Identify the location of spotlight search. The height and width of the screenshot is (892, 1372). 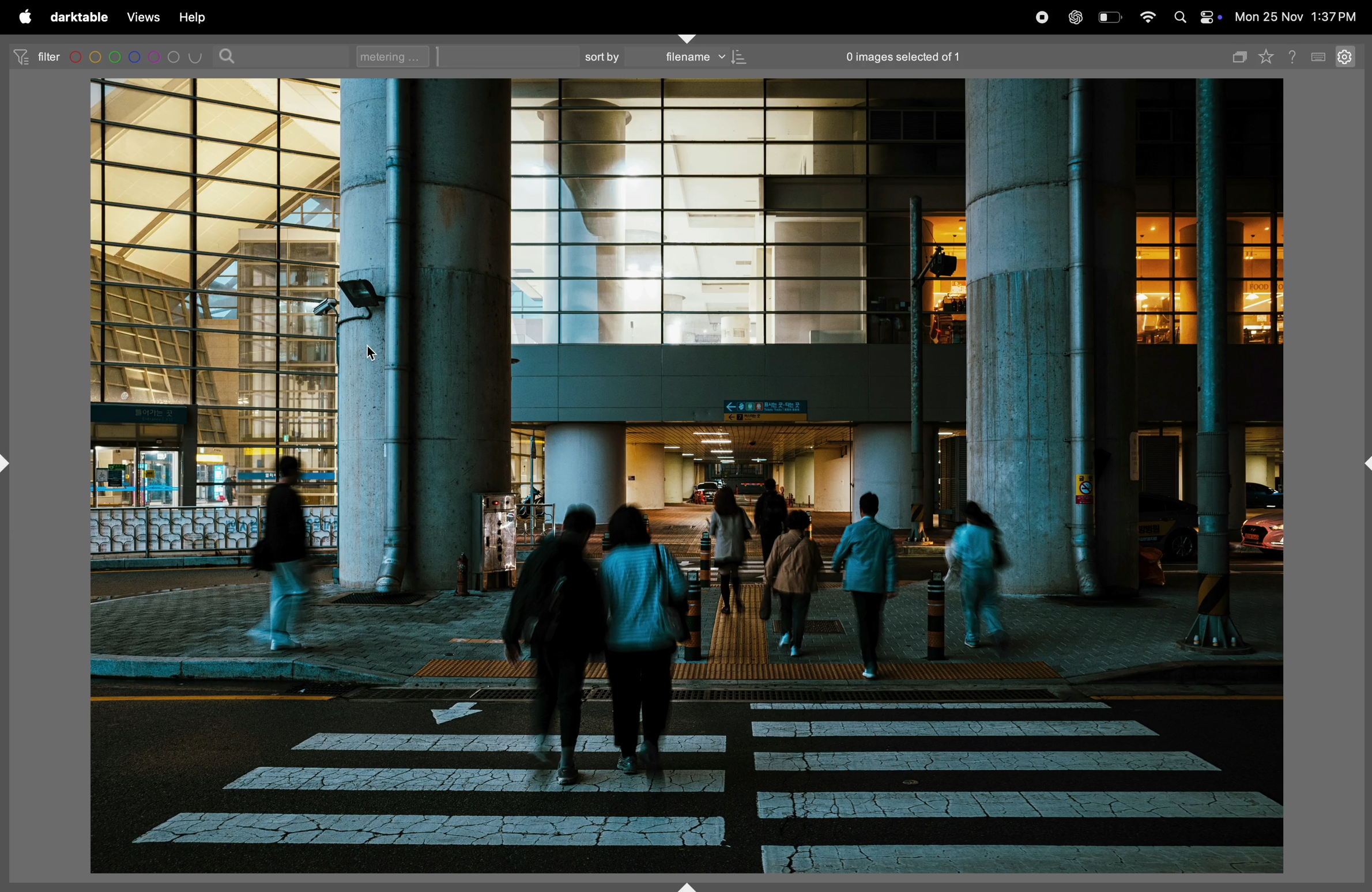
(1181, 16).